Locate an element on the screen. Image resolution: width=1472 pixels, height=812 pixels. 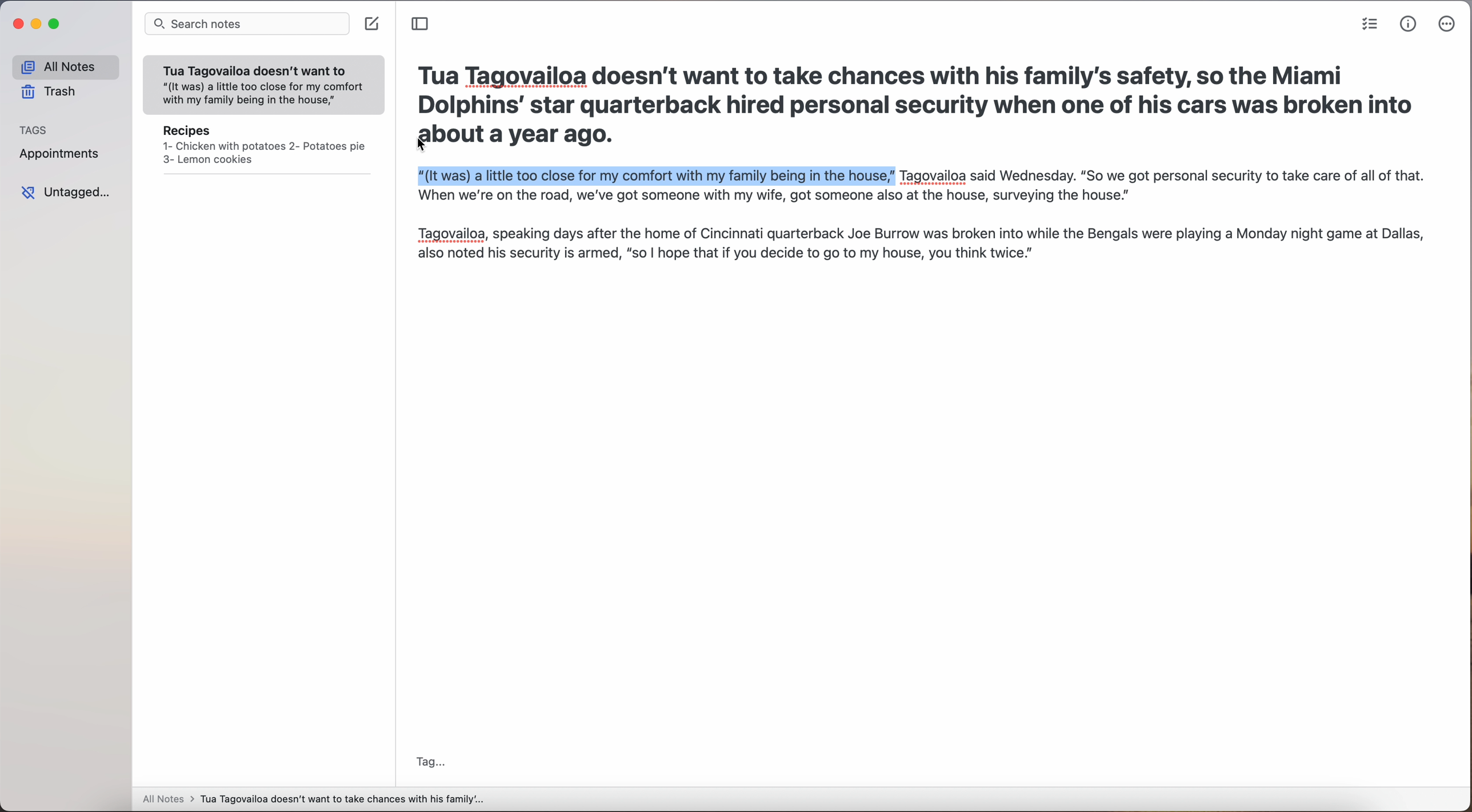
title: Tua Tagovailoa doesn't want to take chances with his family's safety is located at coordinates (923, 91).